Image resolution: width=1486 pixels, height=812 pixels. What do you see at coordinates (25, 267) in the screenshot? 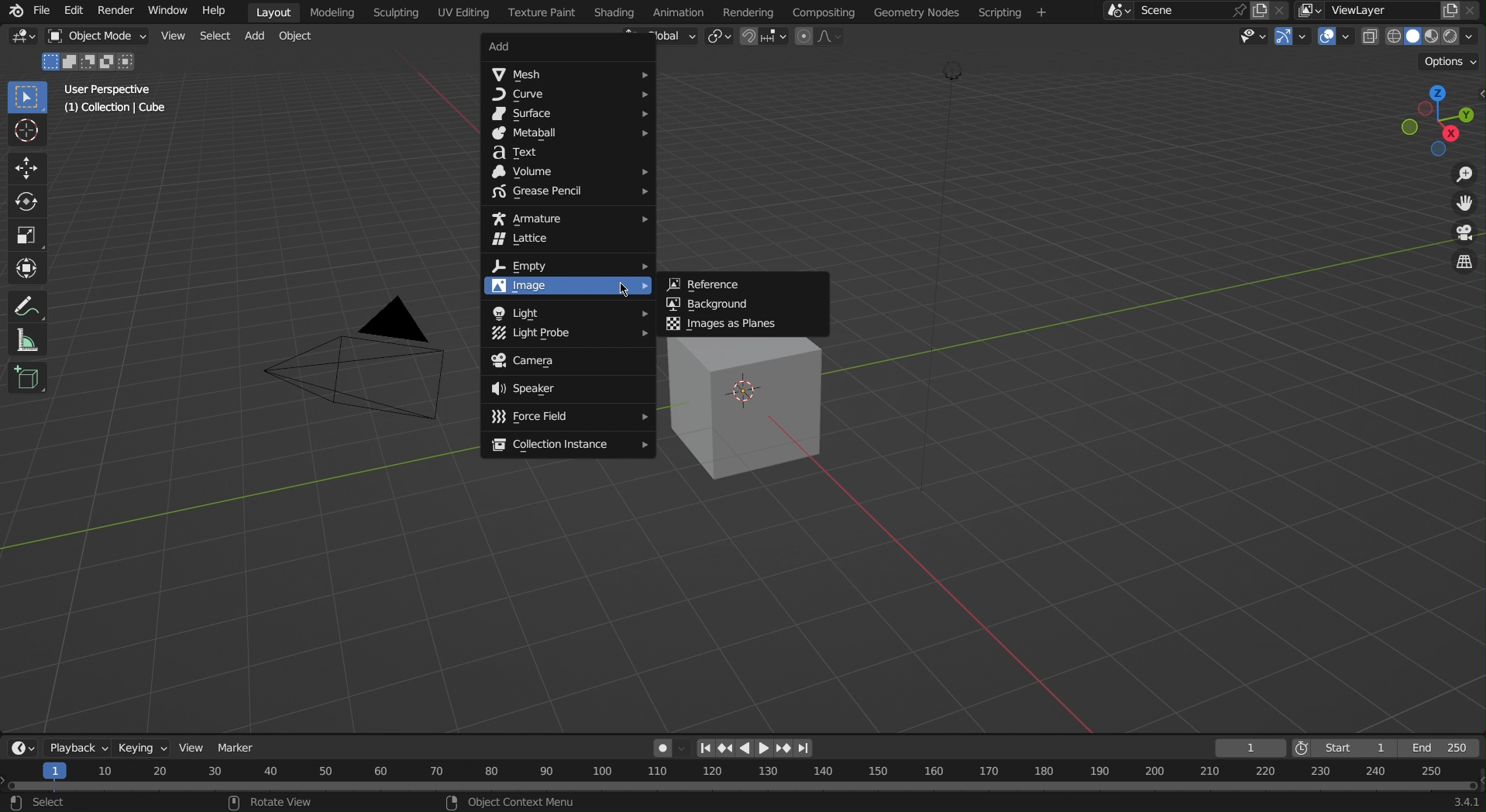
I see `Transform` at bounding box center [25, 267].